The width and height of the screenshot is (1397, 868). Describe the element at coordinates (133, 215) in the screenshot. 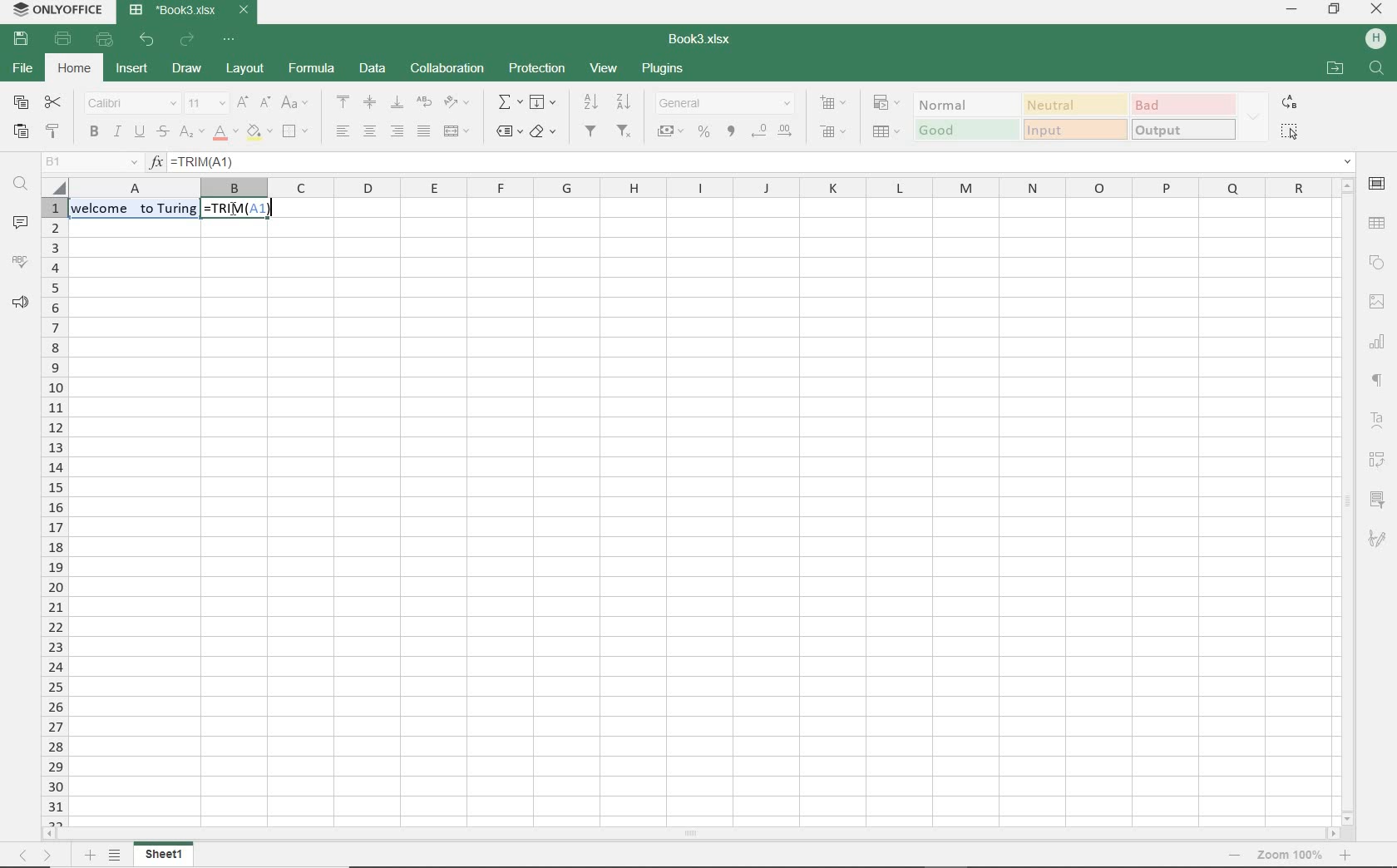

I see `text` at that location.